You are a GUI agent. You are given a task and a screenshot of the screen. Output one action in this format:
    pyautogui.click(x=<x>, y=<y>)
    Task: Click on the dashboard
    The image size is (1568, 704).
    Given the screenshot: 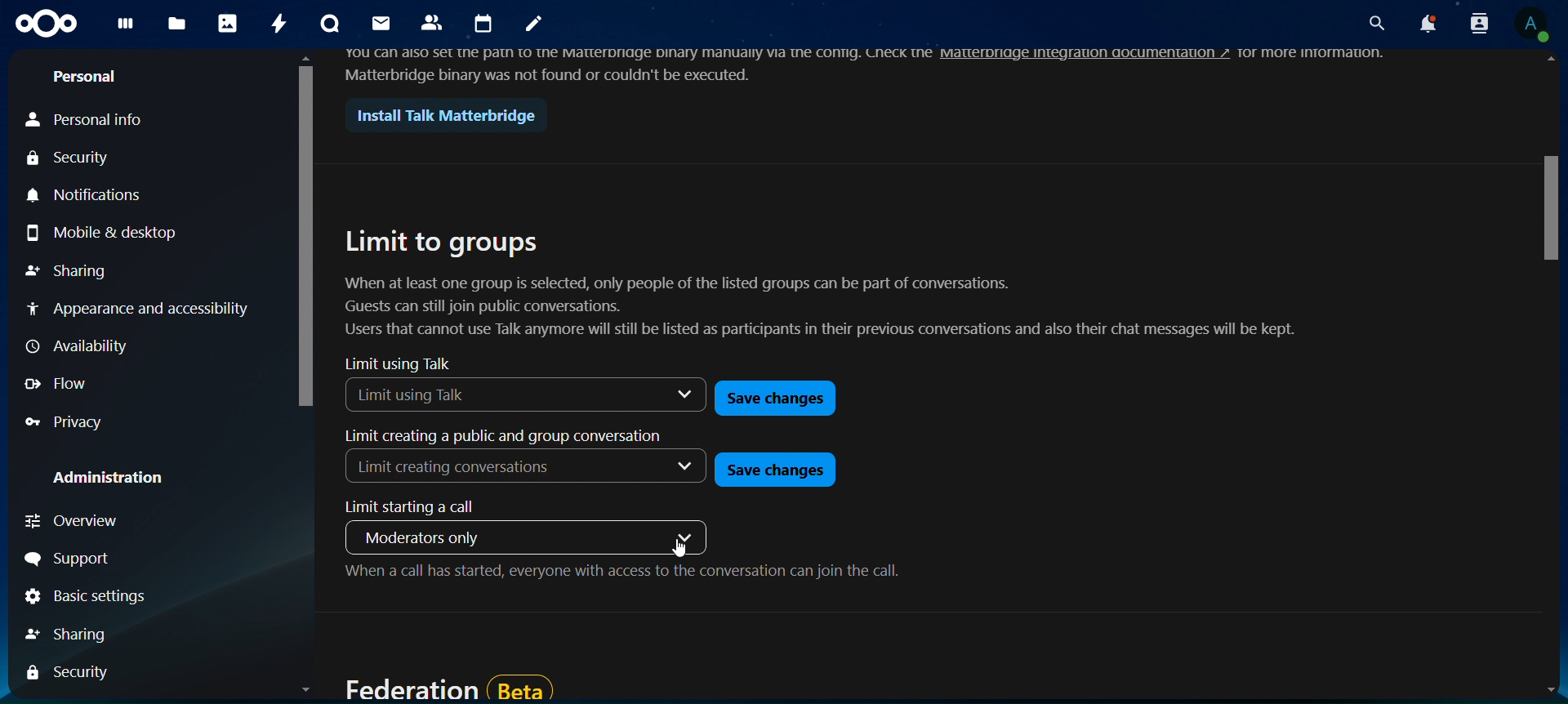 What is the action you would take?
    pyautogui.click(x=128, y=28)
    